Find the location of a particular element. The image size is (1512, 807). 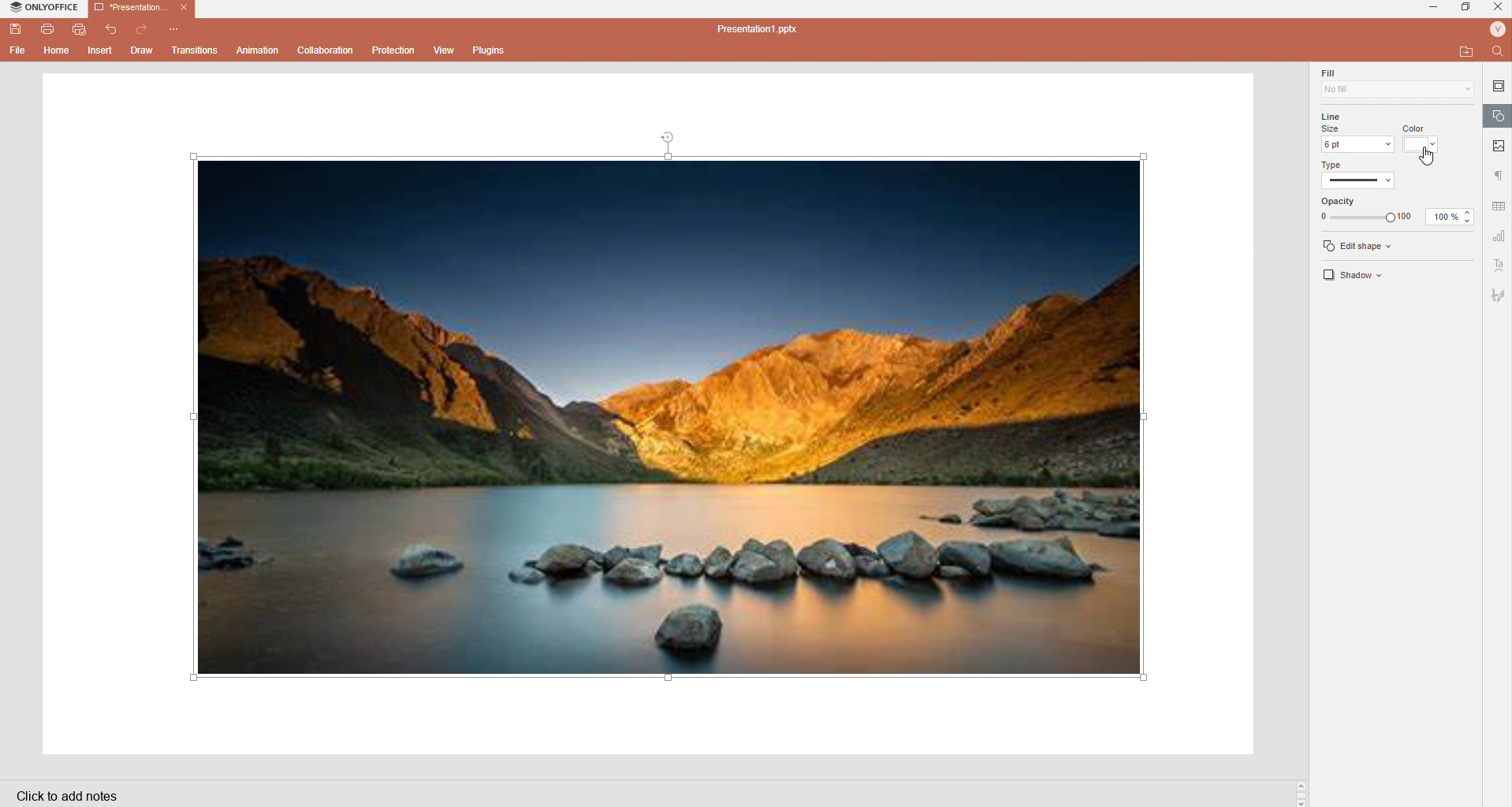

Picture settings is located at coordinates (1501, 145).